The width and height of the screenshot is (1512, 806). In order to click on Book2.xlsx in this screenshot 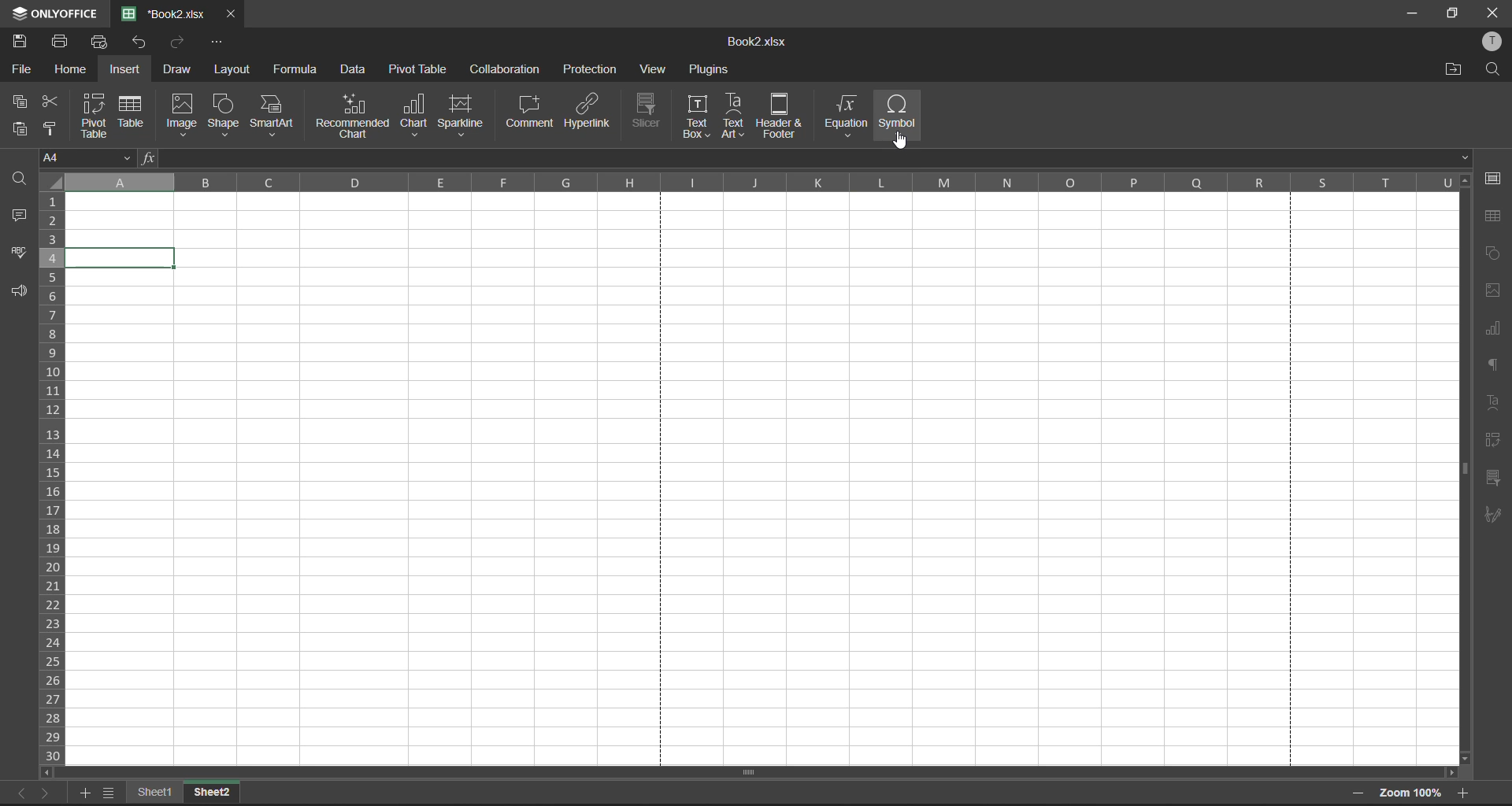, I will do `click(752, 42)`.